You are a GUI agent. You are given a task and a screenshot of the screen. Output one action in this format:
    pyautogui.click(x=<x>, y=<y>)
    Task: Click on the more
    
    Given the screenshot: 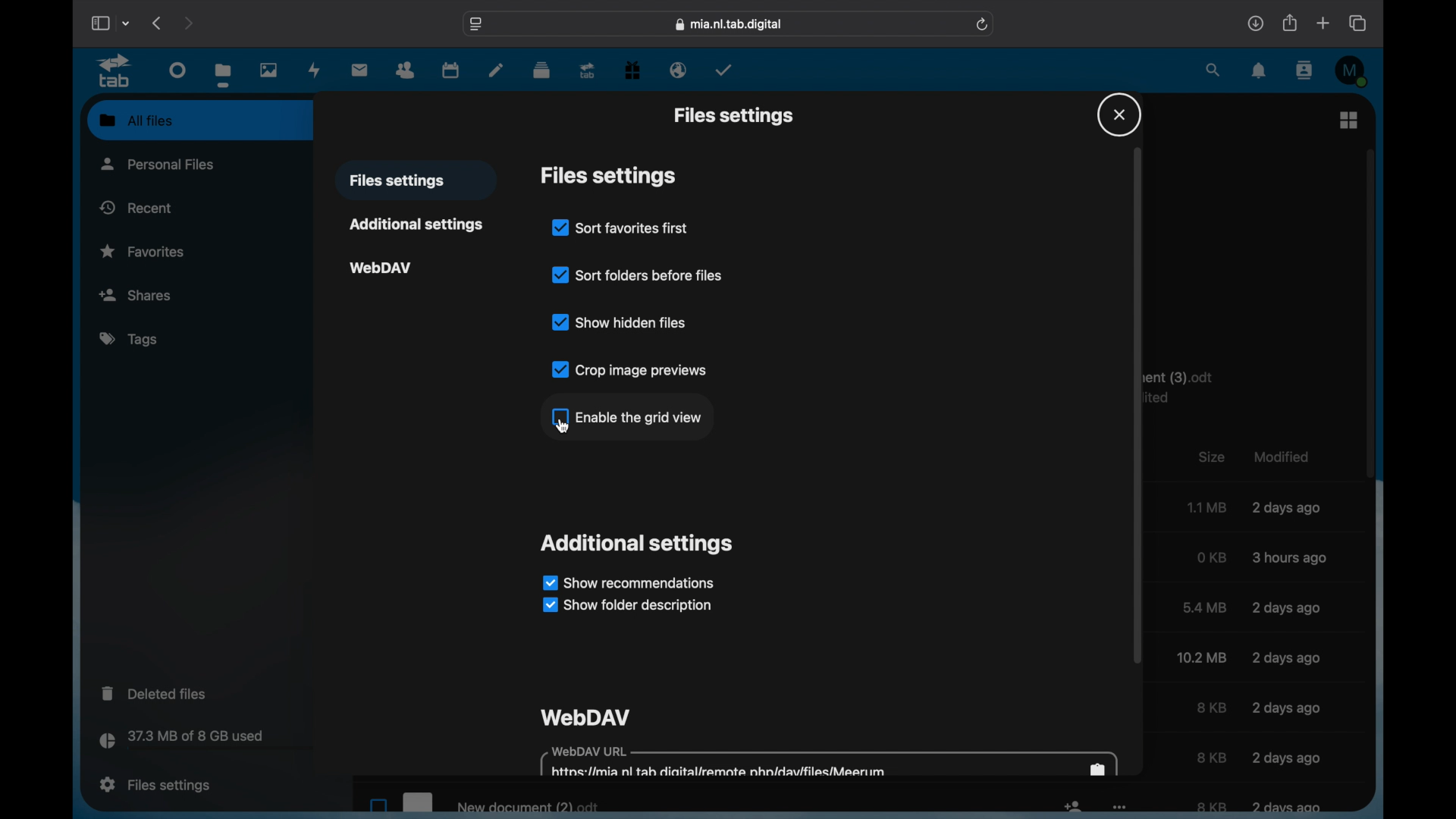 What is the action you would take?
    pyautogui.click(x=1119, y=808)
    